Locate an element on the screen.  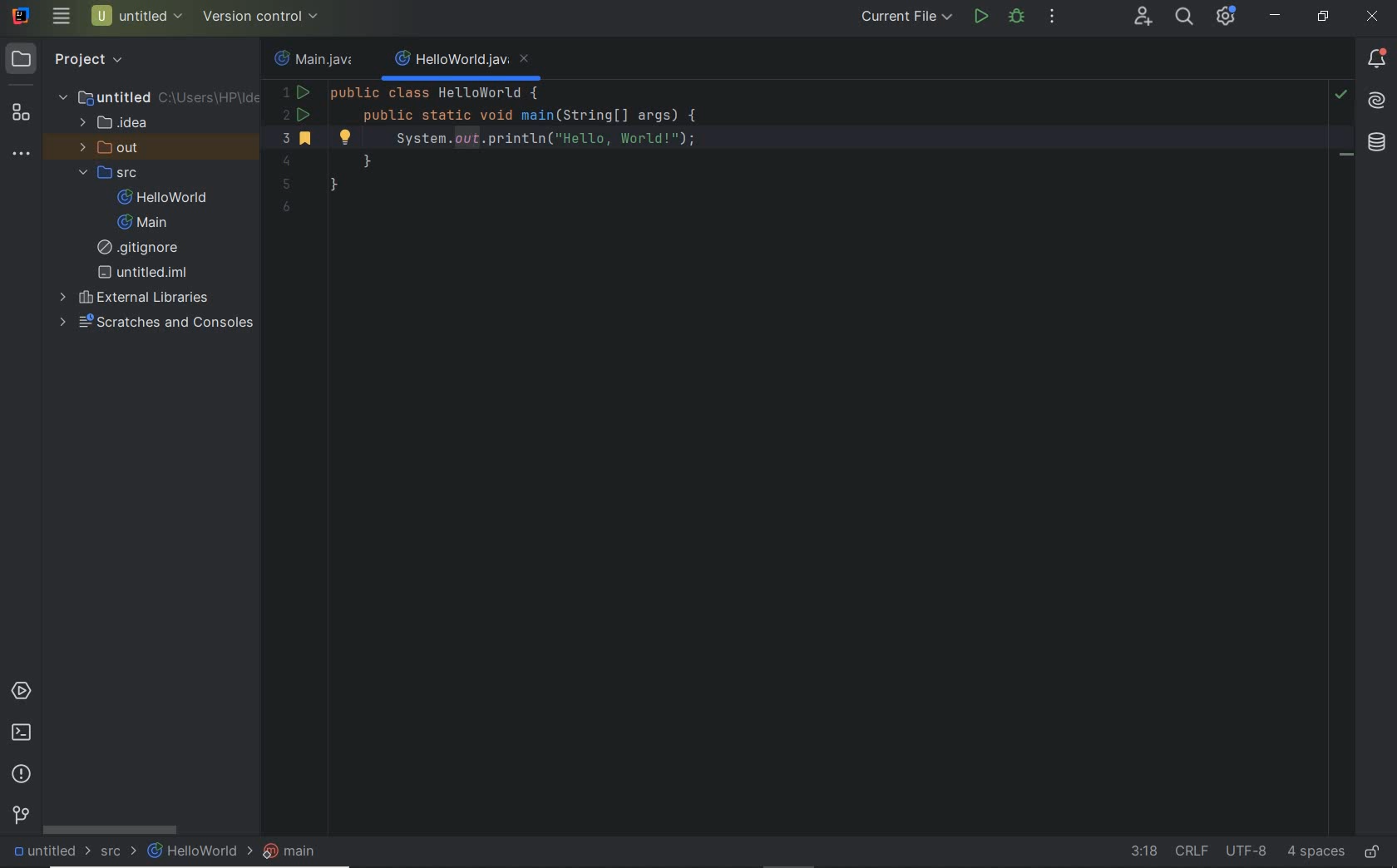
project is located at coordinates (71, 57).